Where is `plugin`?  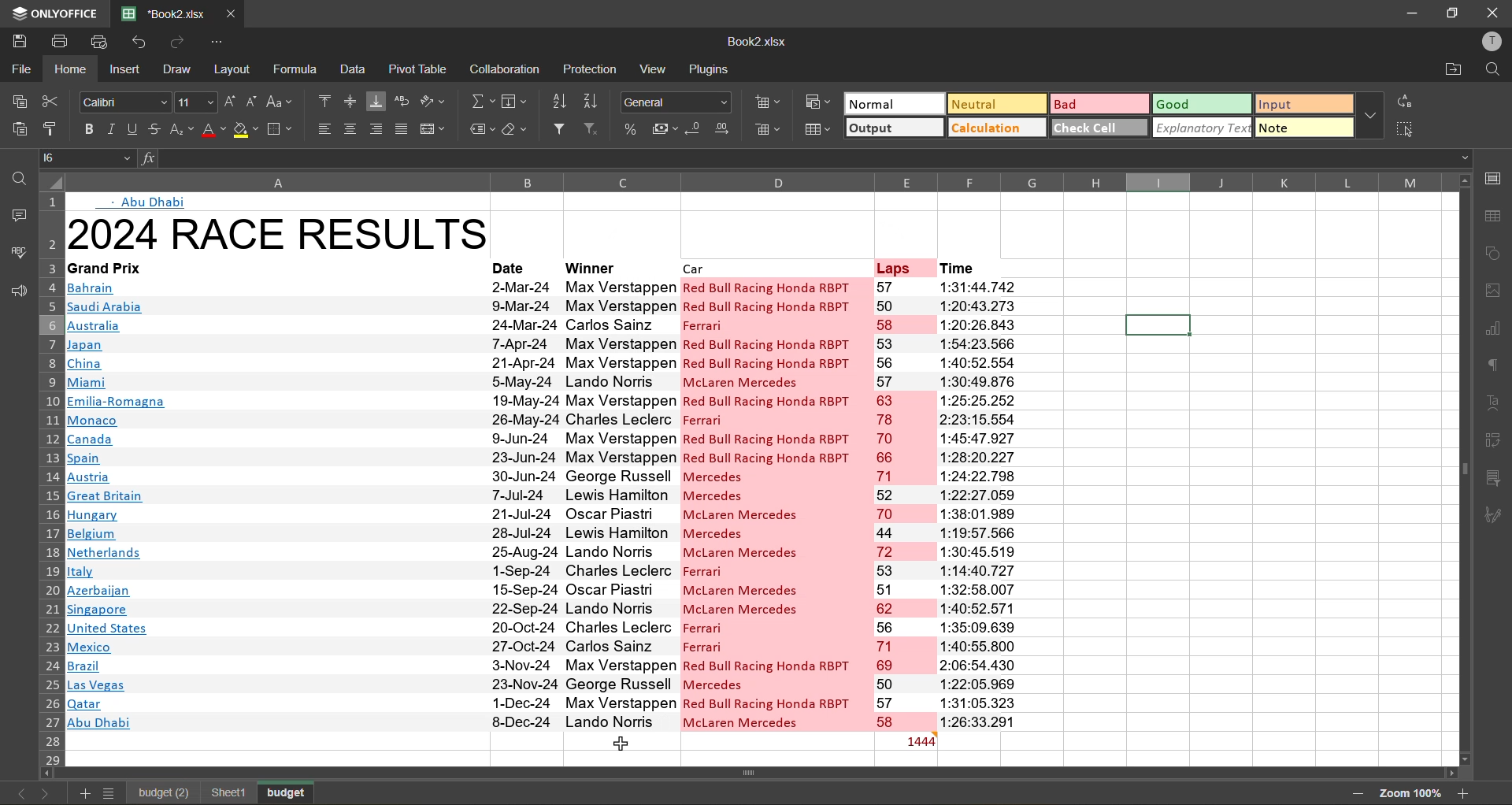 plugin is located at coordinates (714, 72).